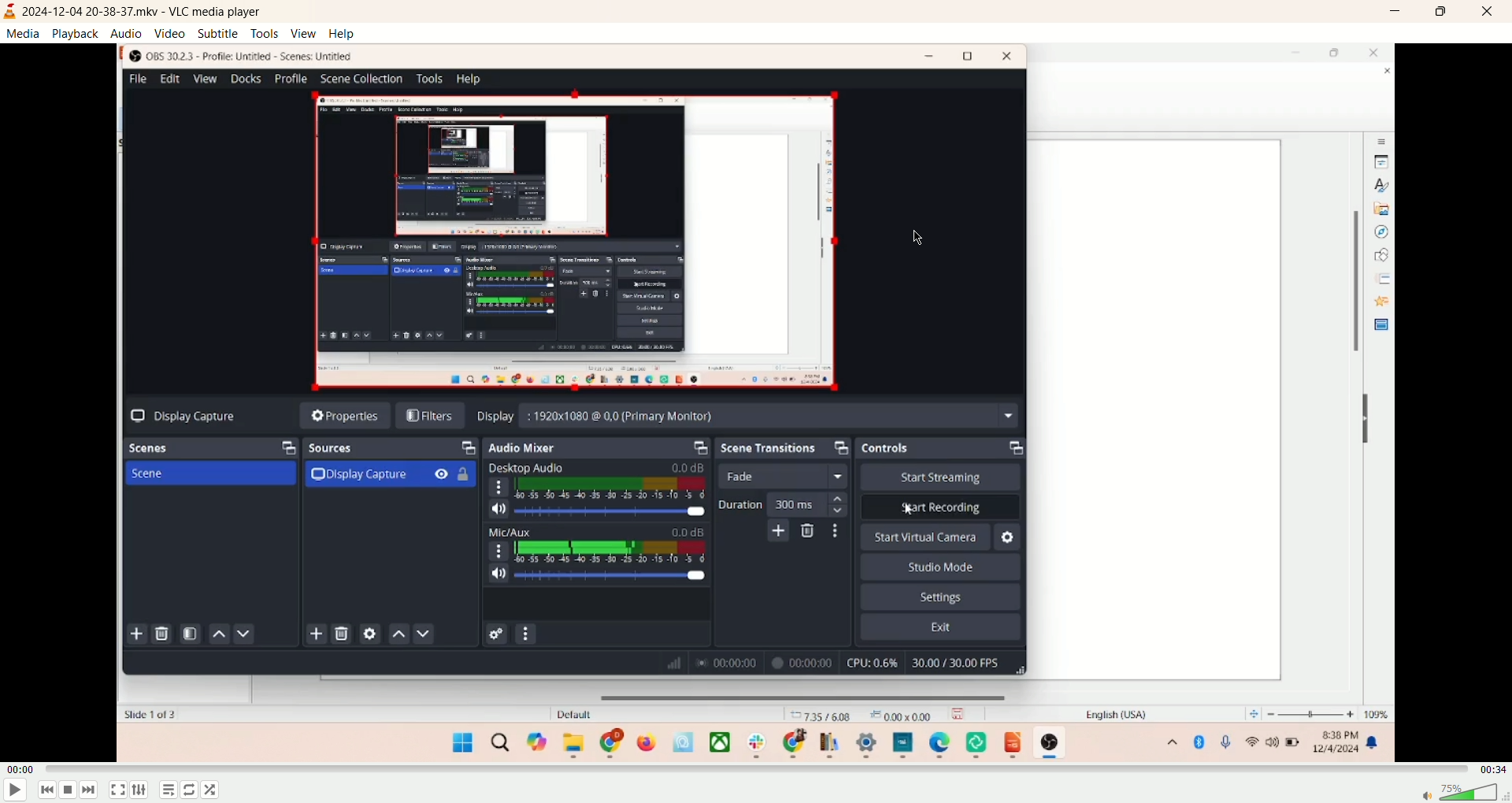 Image resolution: width=1512 pixels, height=803 pixels. What do you see at coordinates (217, 791) in the screenshot?
I see `shuffle` at bounding box center [217, 791].